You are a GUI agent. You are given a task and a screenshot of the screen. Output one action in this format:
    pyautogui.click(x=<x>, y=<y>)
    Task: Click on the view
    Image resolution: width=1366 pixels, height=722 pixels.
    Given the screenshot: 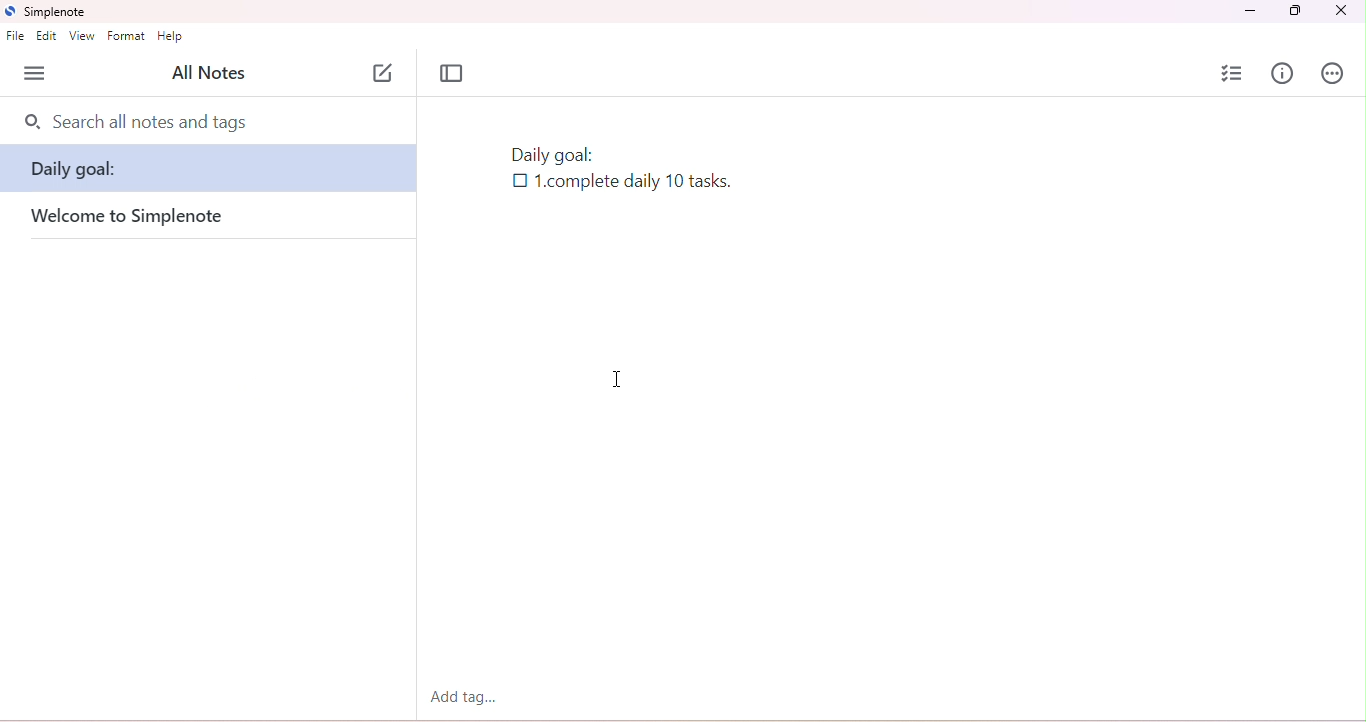 What is the action you would take?
    pyautogui.click(x=82, y=36)
    